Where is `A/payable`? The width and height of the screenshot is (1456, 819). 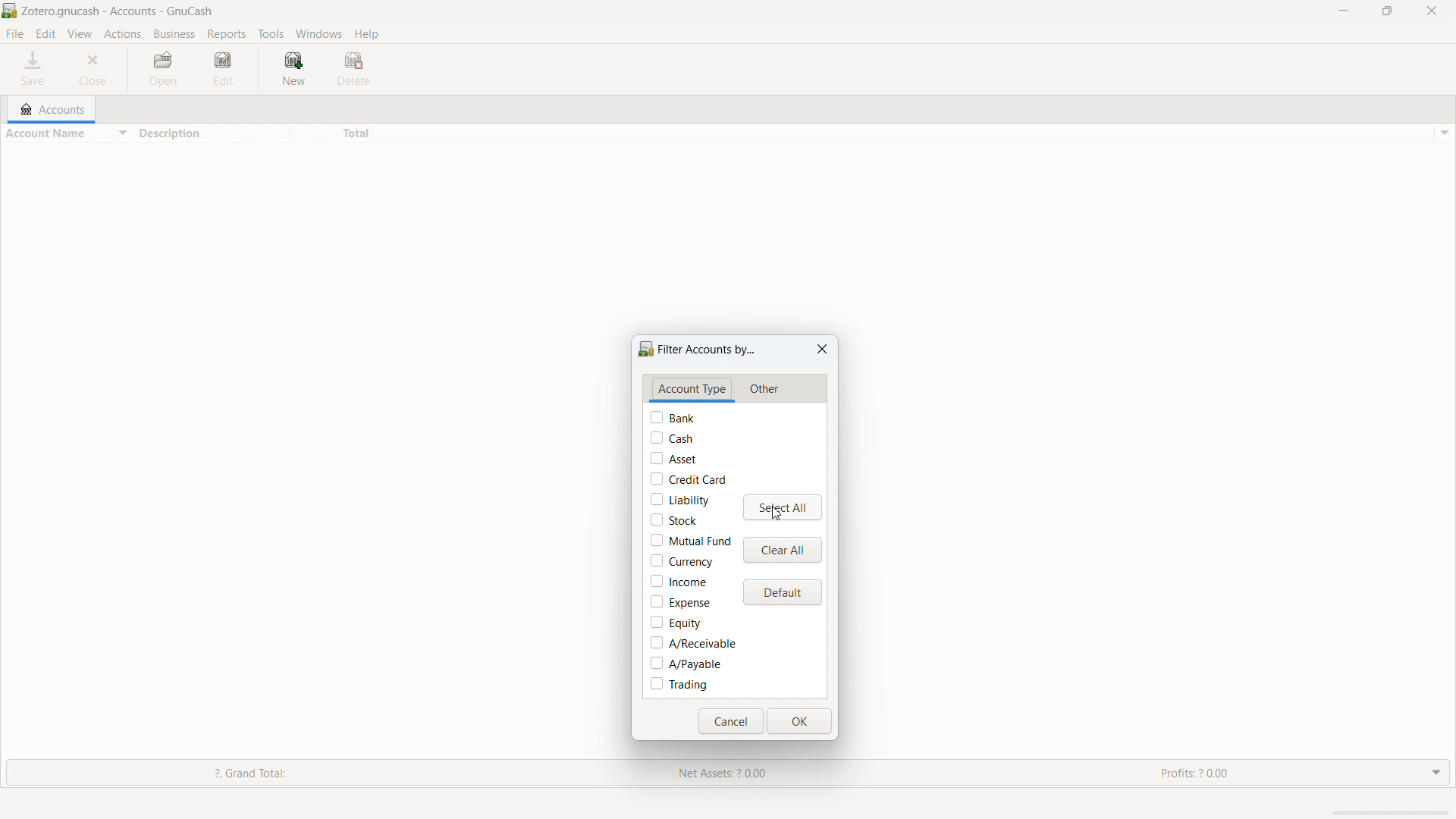 A/payable is located at coordinates (686, 664).